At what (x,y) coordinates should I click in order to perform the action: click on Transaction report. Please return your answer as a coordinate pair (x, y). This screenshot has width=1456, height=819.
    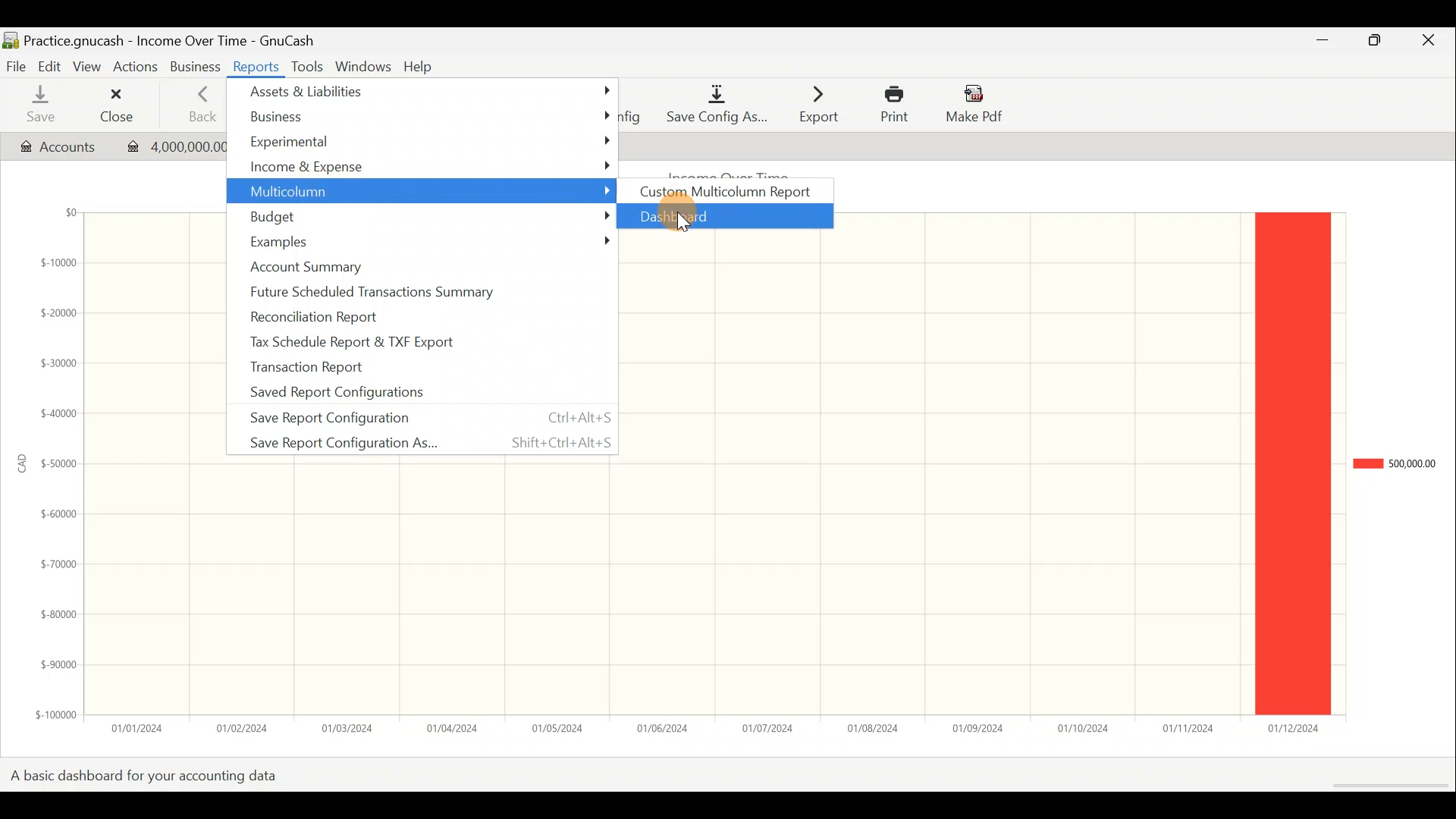
    Looking at the image, I should click on (421, 370).